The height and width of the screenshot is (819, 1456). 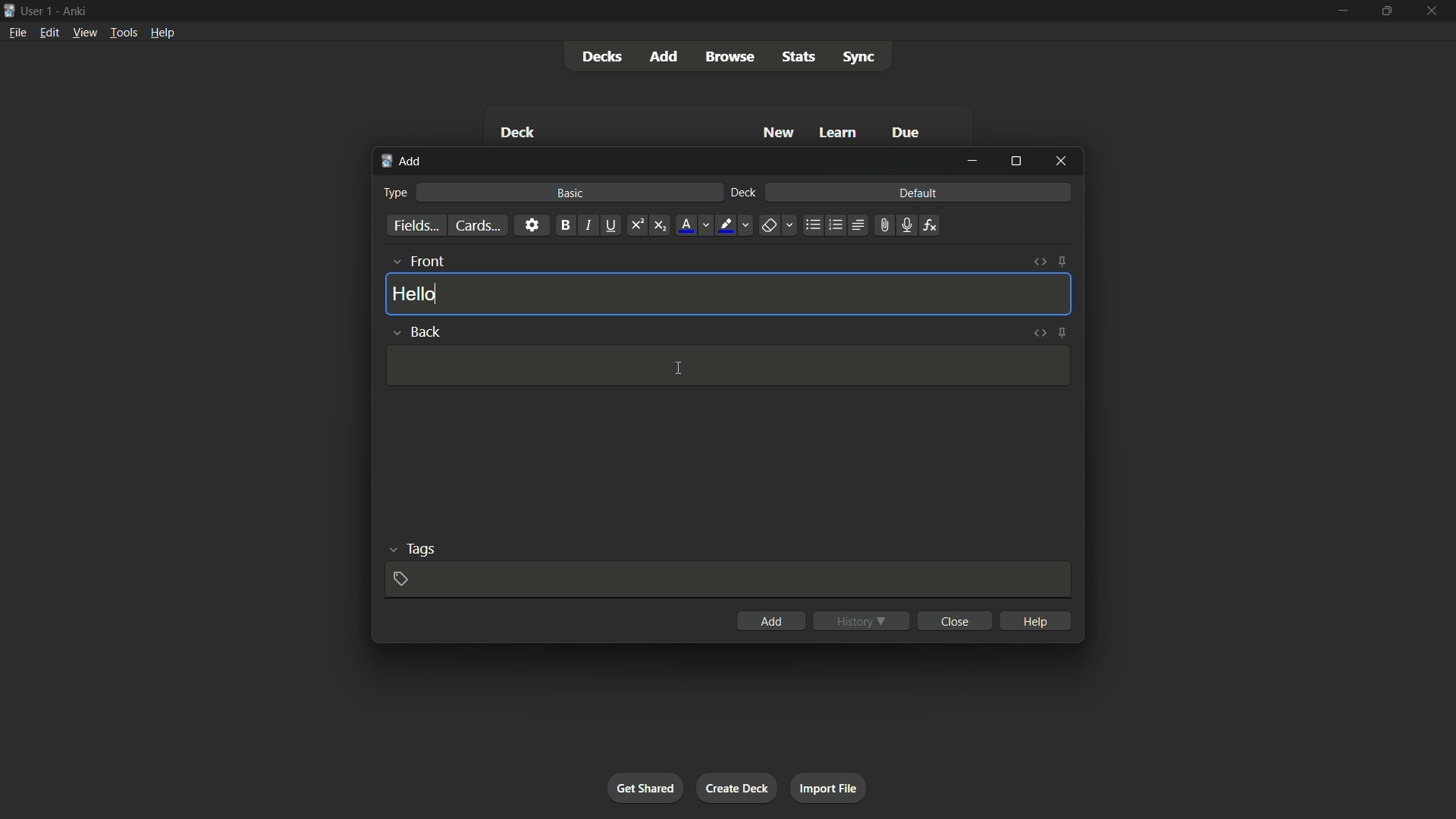 What do you see at coordinates (798, 56) in the screenshot?
I see `stats` at bounding box center [798, 56].